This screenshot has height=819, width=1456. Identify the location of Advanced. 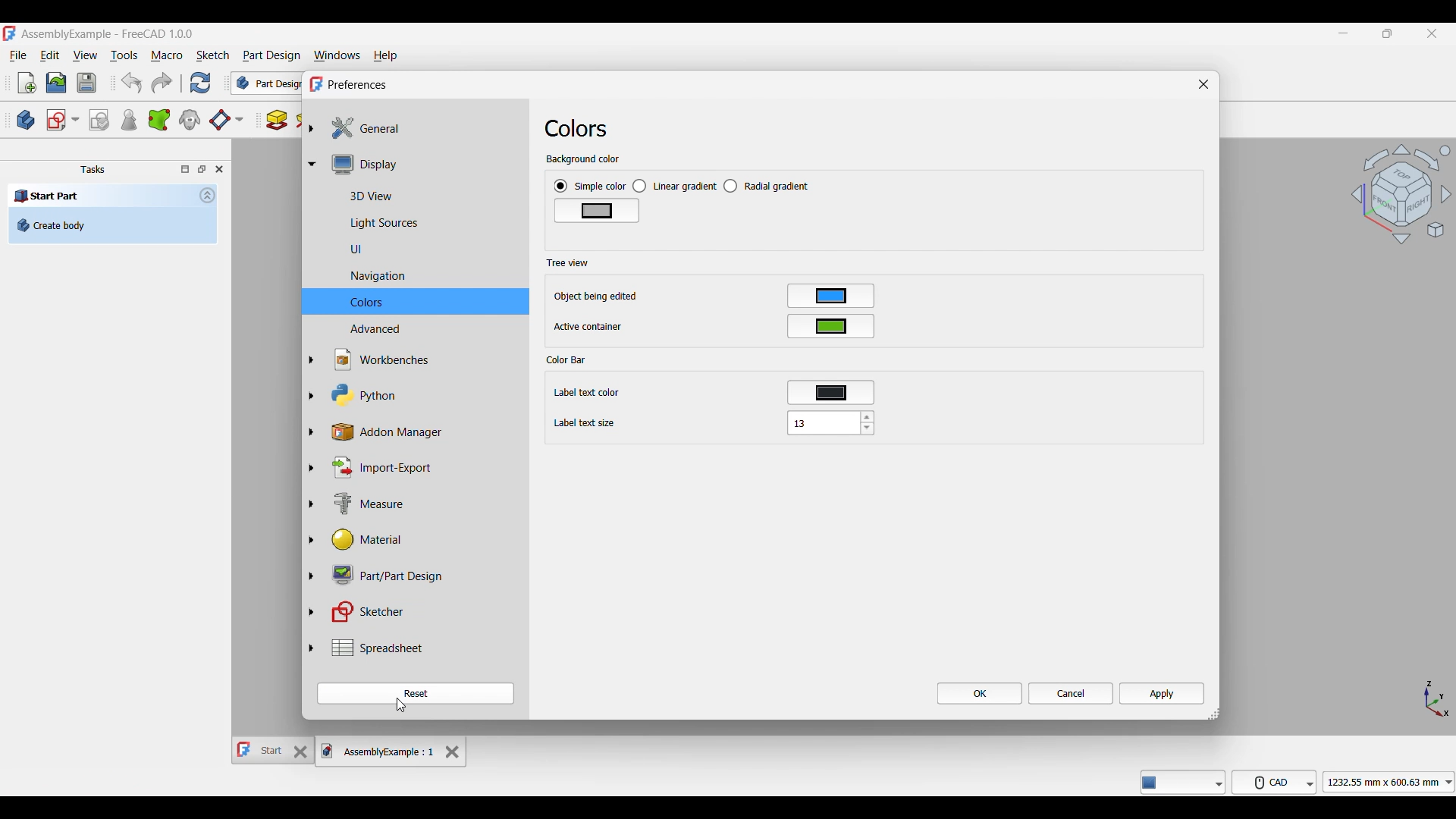
(356, 329).